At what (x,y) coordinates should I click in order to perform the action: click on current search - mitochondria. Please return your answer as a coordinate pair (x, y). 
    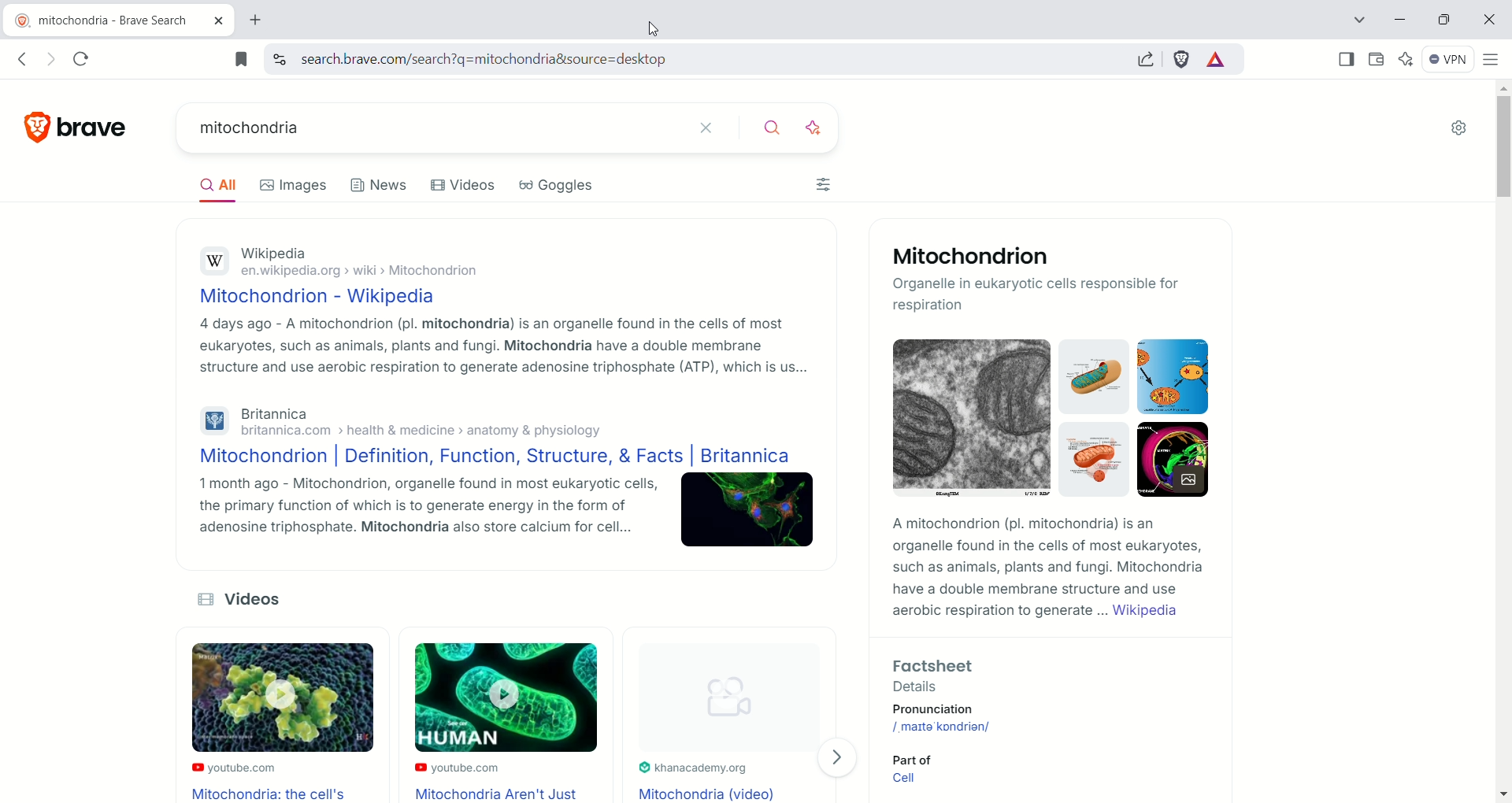
    Looking at the image, I should click on (420, 127).